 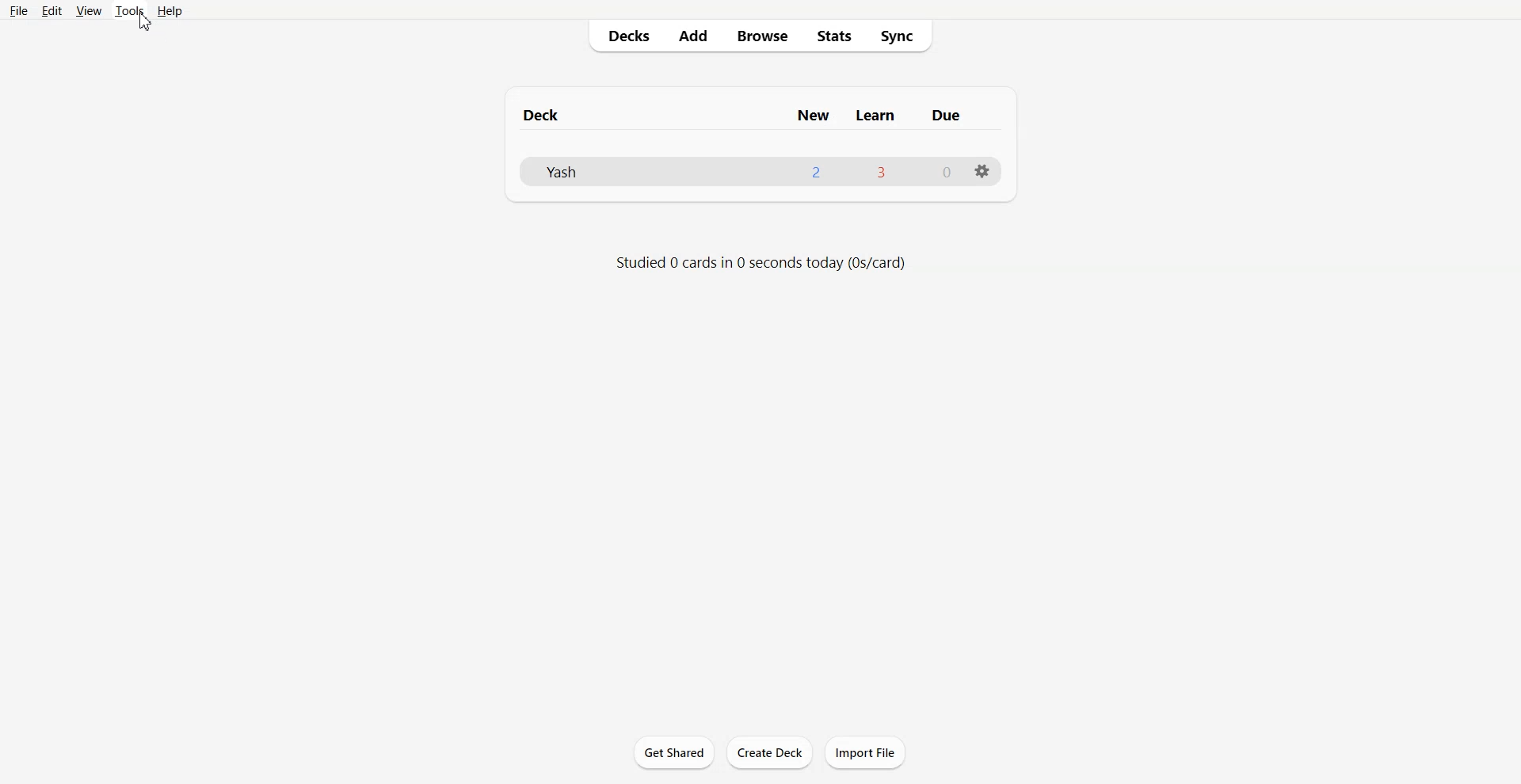 I want to click on 3, so click(x=882, y=173).